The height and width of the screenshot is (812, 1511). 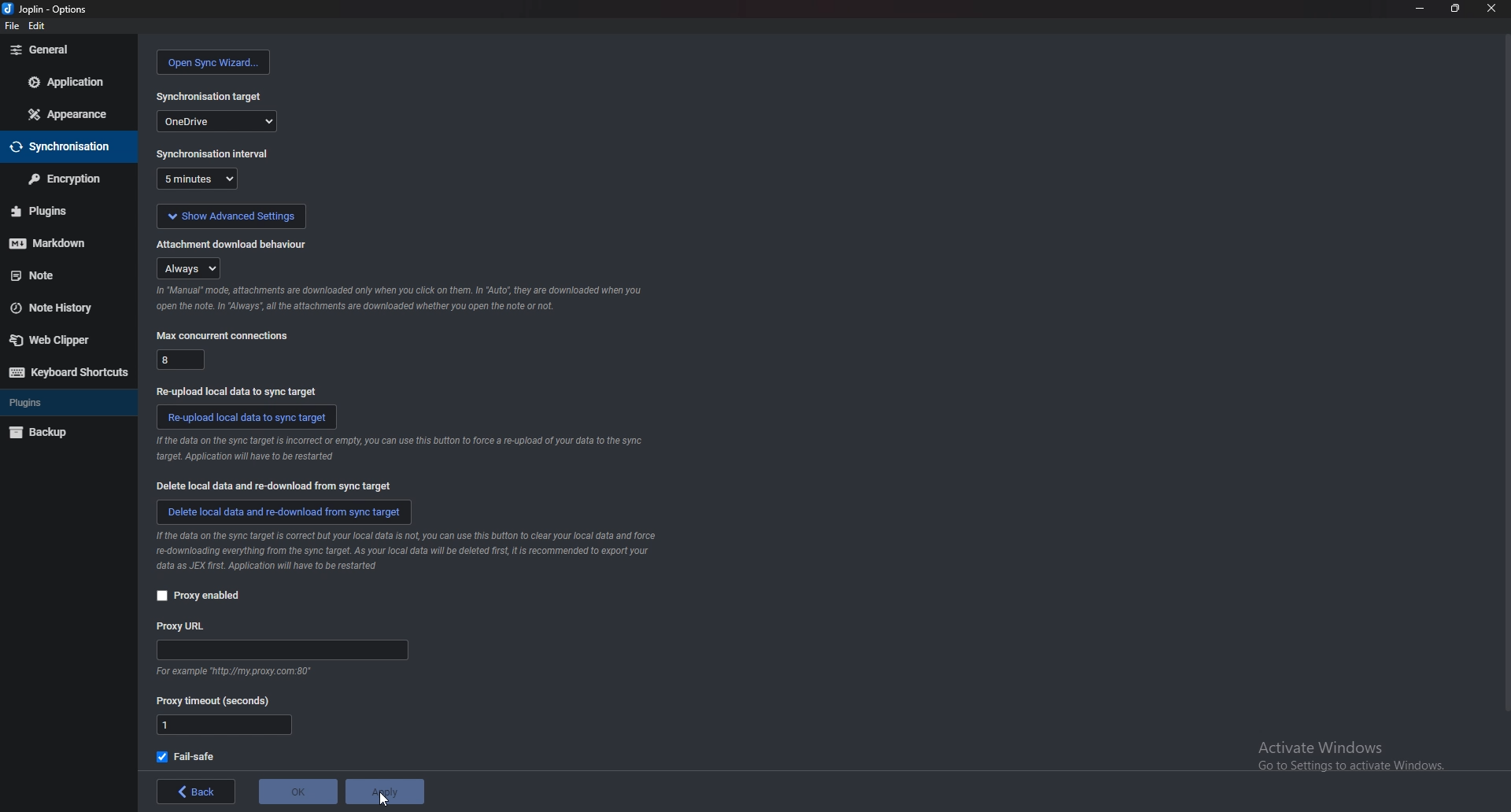 I want to click on delete local data and redownload, so click(x=283, y=514).